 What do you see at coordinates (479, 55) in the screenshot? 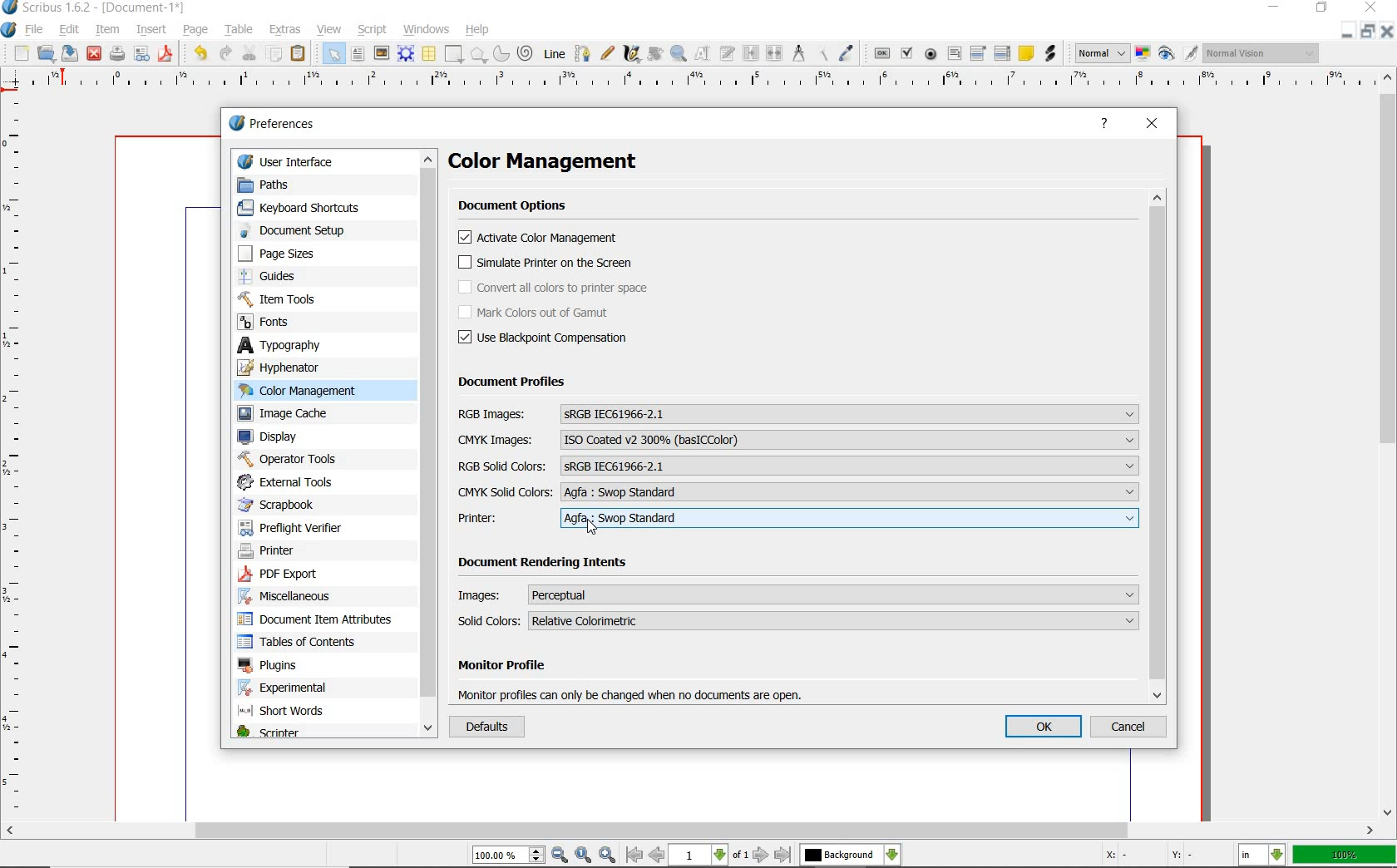
I see `polygon` at bounding box center [479, 55].